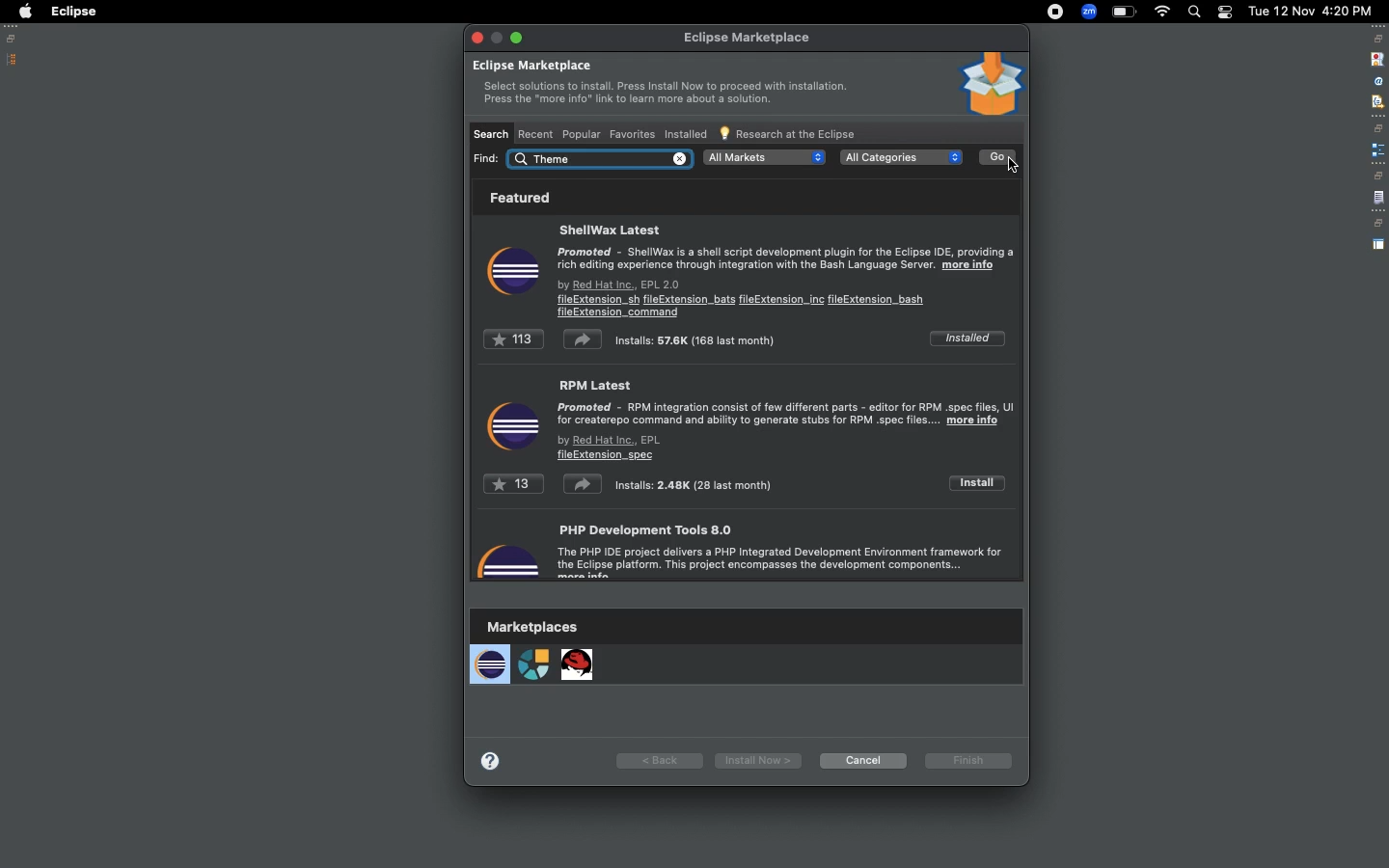  What do you see at coordinates (991, 84) in the screenshot?
I see `Icon` at bounding box center [991, 84].